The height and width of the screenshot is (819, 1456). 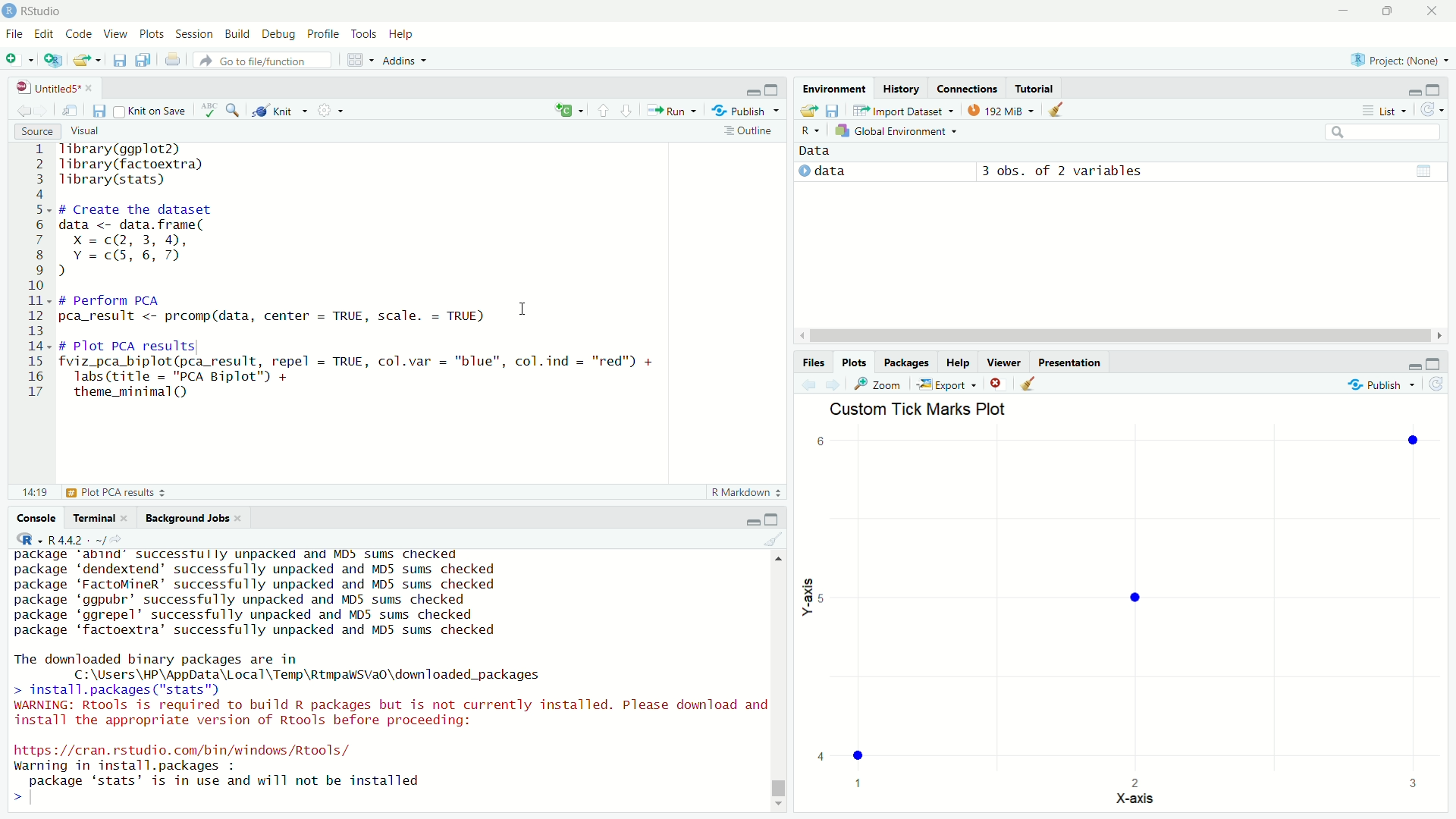 I want to click on language select, so click(x=566, y=111).